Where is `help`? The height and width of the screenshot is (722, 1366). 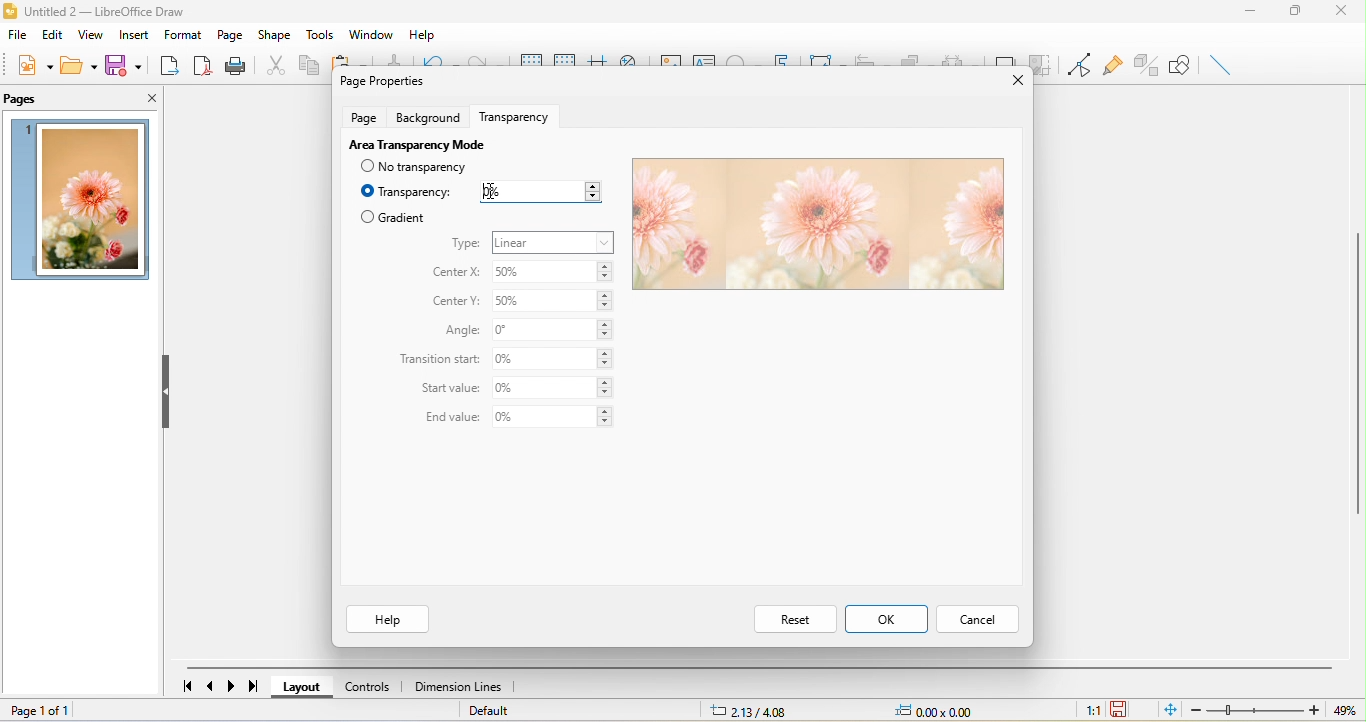
help is located at coordinates (425, 31).